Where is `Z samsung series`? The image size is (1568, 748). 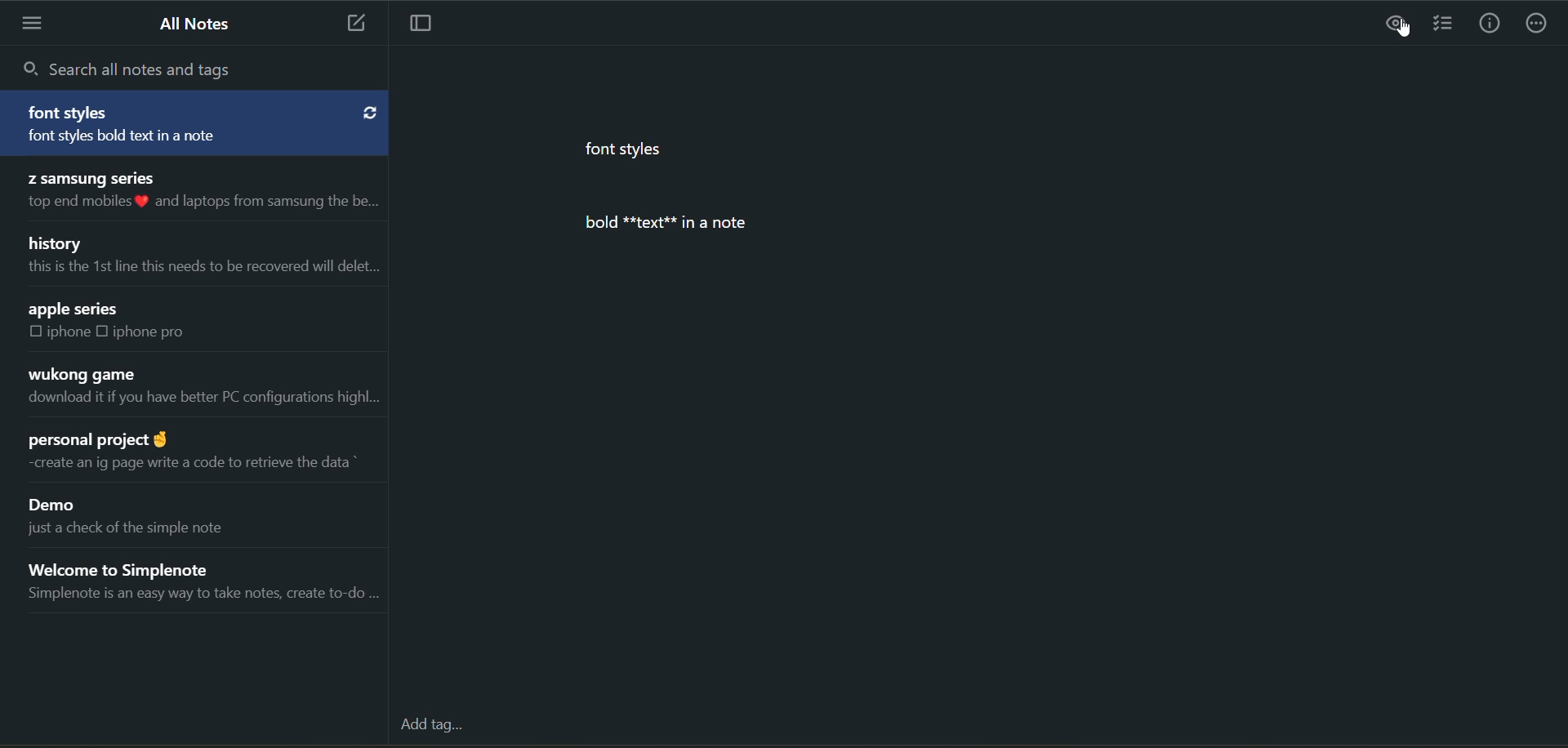
Z samsung series is located at coordinates (89, 176).